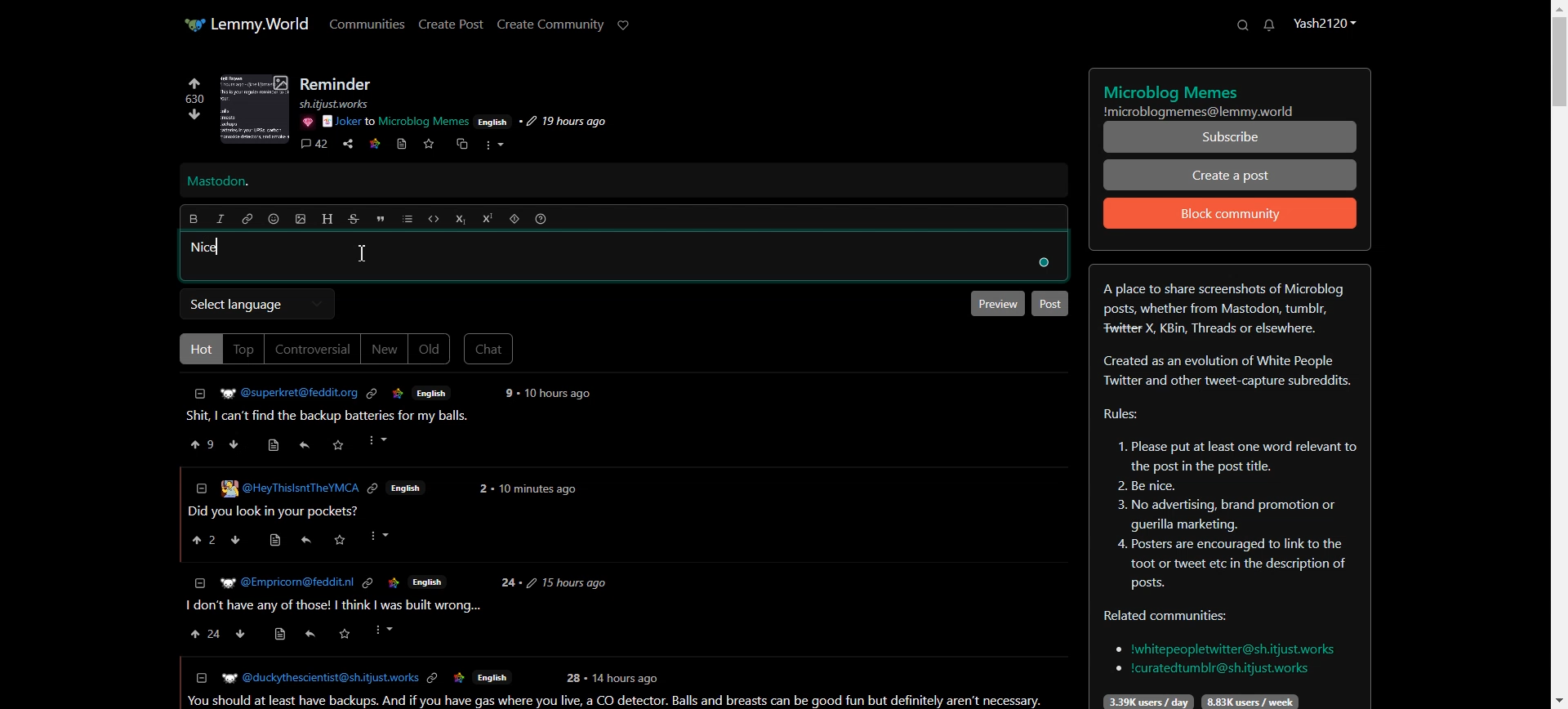 The width and height of the screenshot is (1568, 709). Describe the element at coordinates (380, 441) in the screenshot. I see `` at that location.